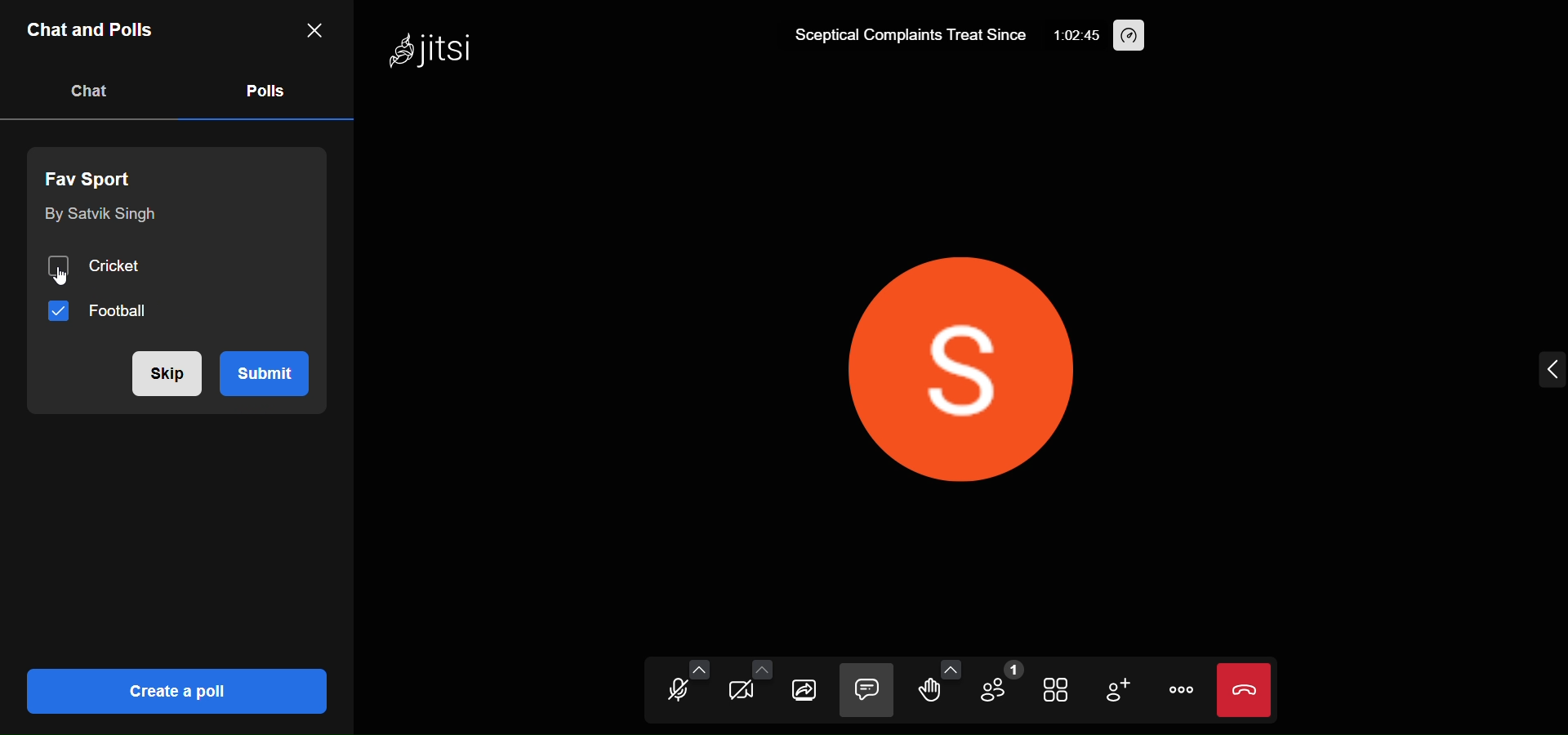  What do you see at coordinates (903, 33) in the screenshot?
I see `Sceptical Complaints Treat Since` at bounding box center [903, 33].